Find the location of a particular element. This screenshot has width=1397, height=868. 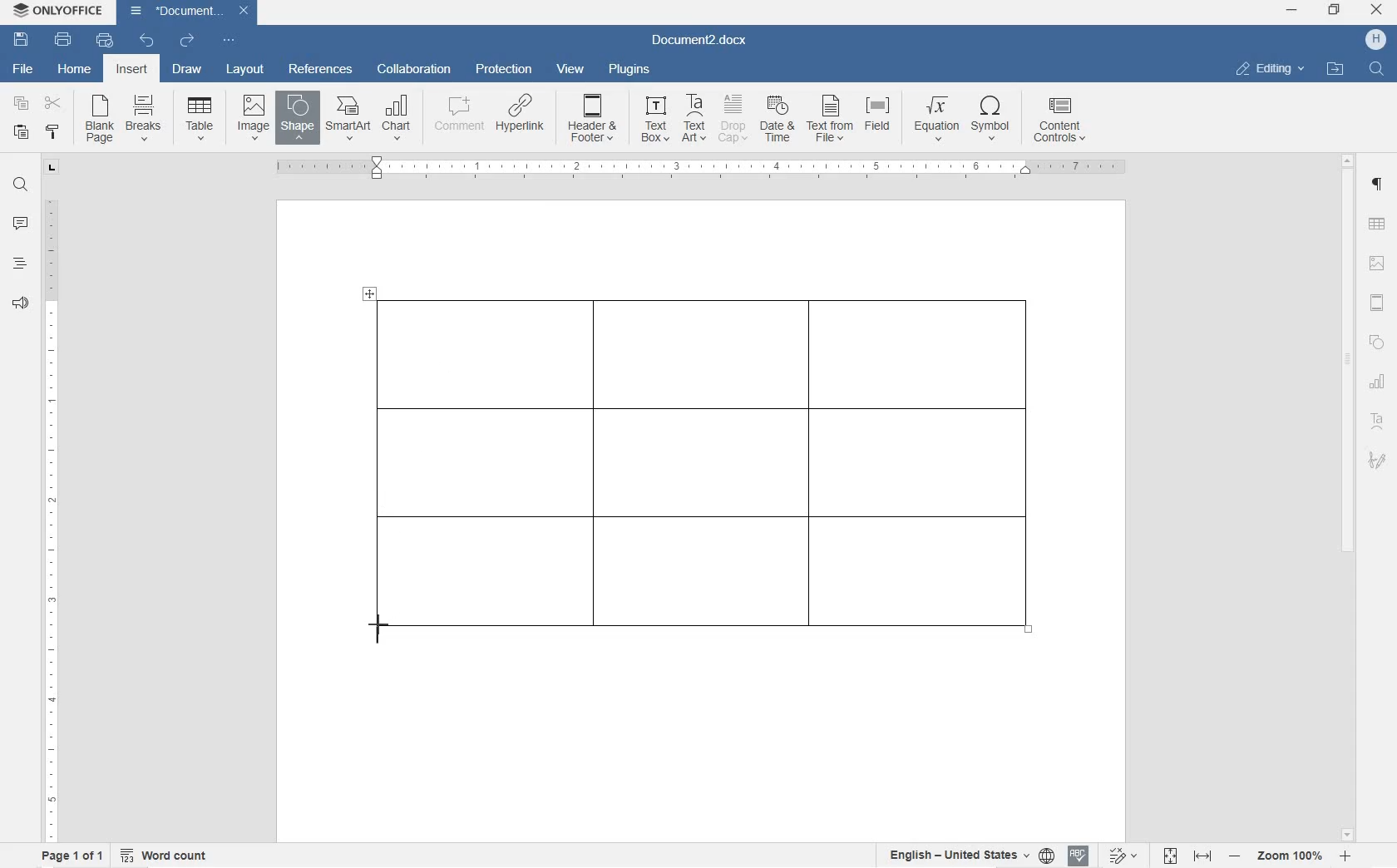

DATE & TIME is located at coordinates (780, 121).